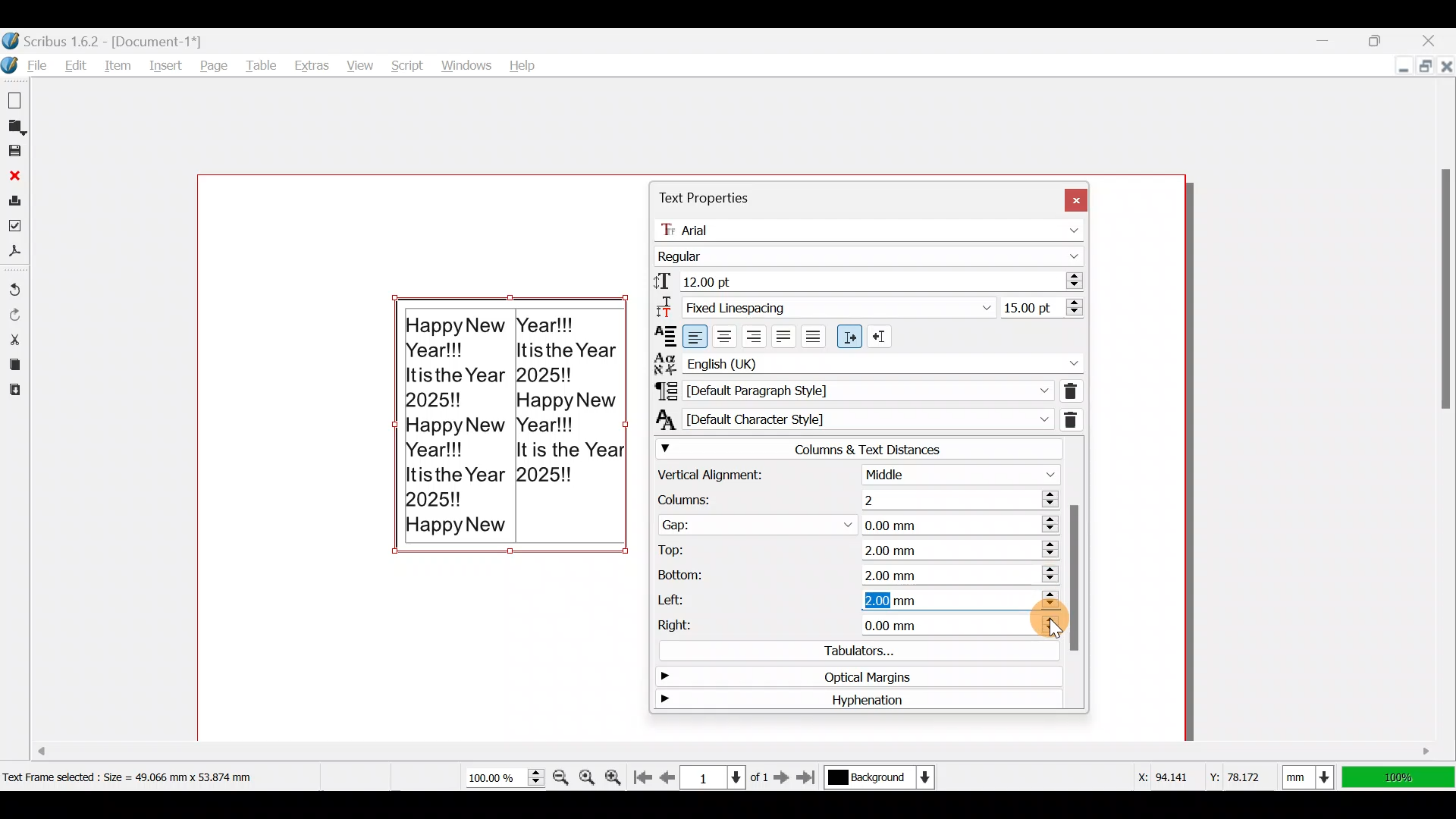  Describe the element at coordinates (17, 127) in the screenshot. I see `Open` at that location.